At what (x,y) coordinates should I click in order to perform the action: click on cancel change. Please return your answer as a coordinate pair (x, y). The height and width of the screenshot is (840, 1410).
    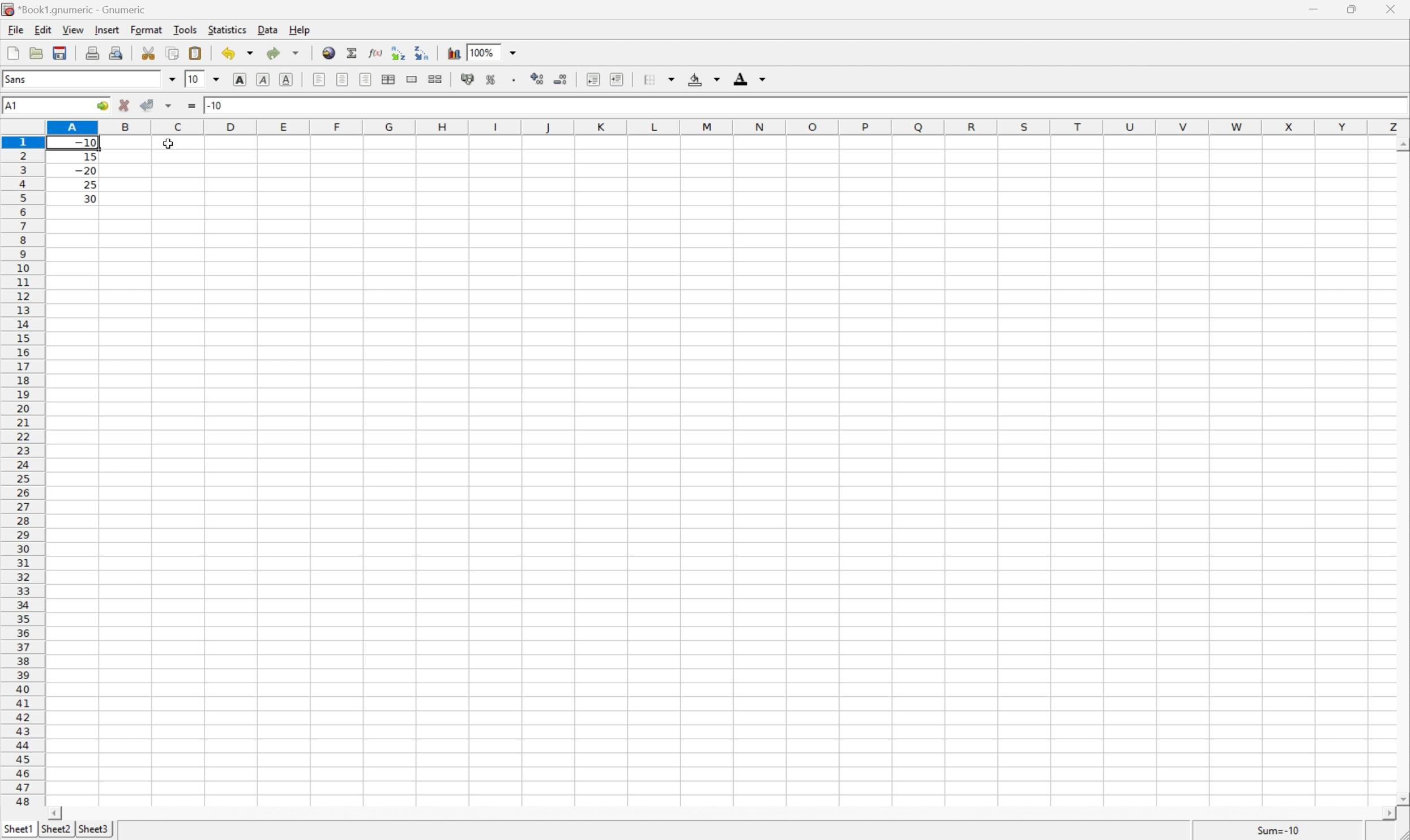
    Looking at the image, I should click on (125, 108).